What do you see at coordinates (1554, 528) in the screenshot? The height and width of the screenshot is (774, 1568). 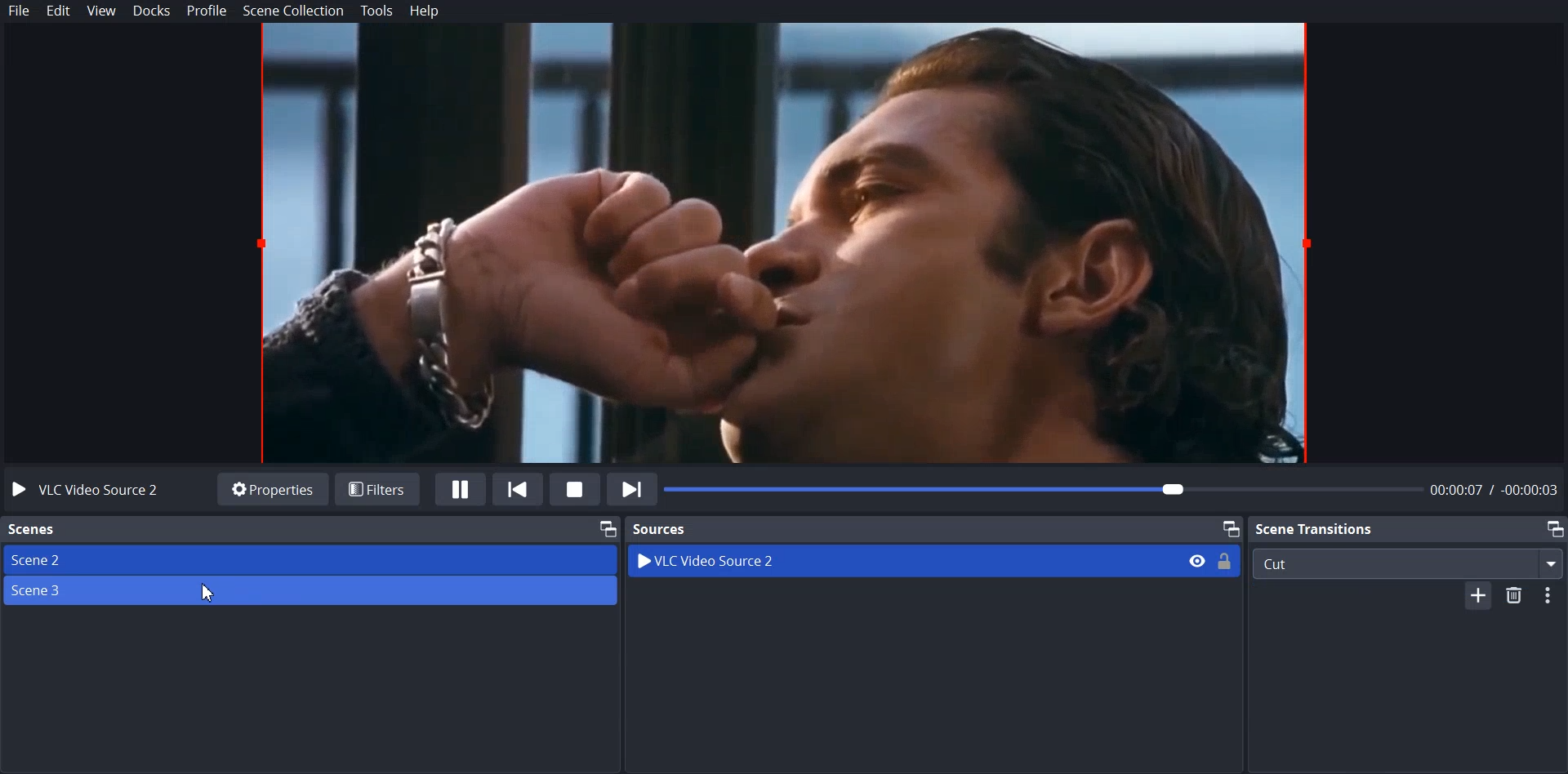 I see `Maximize window` at bounding box center [1554, 528].